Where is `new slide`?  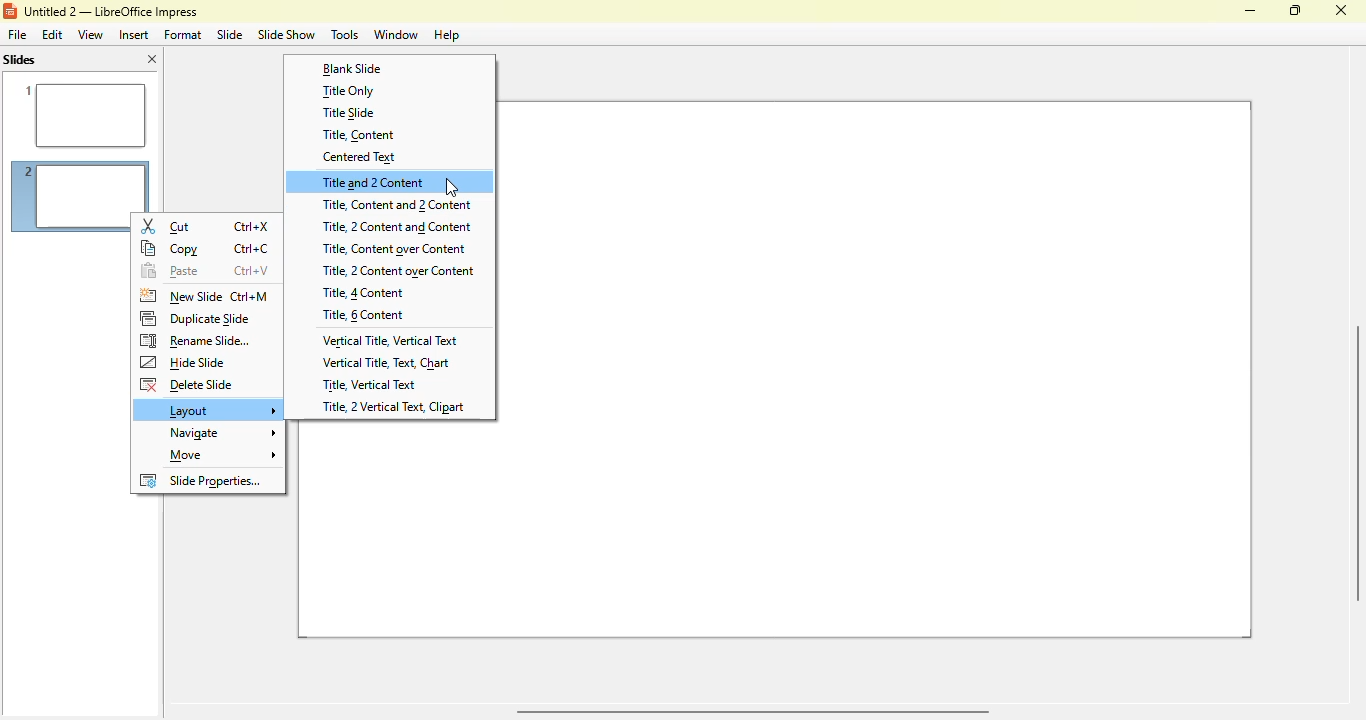 new slide is located at coordinates (180, 296).